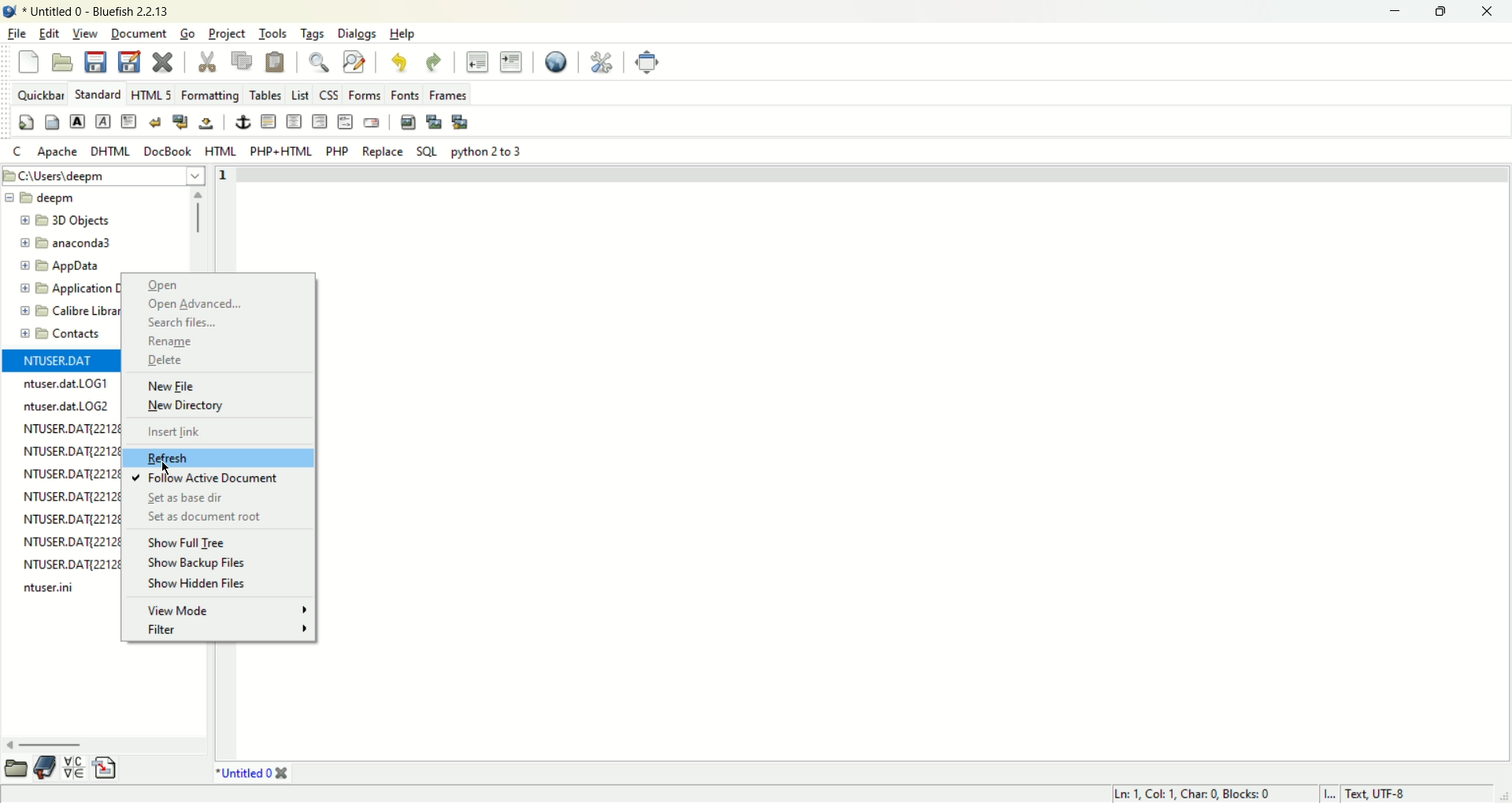  What do you see at coordinates (1398, 794) in the screenshot?
I see `character encoding` at bounding box center [1398, 794].